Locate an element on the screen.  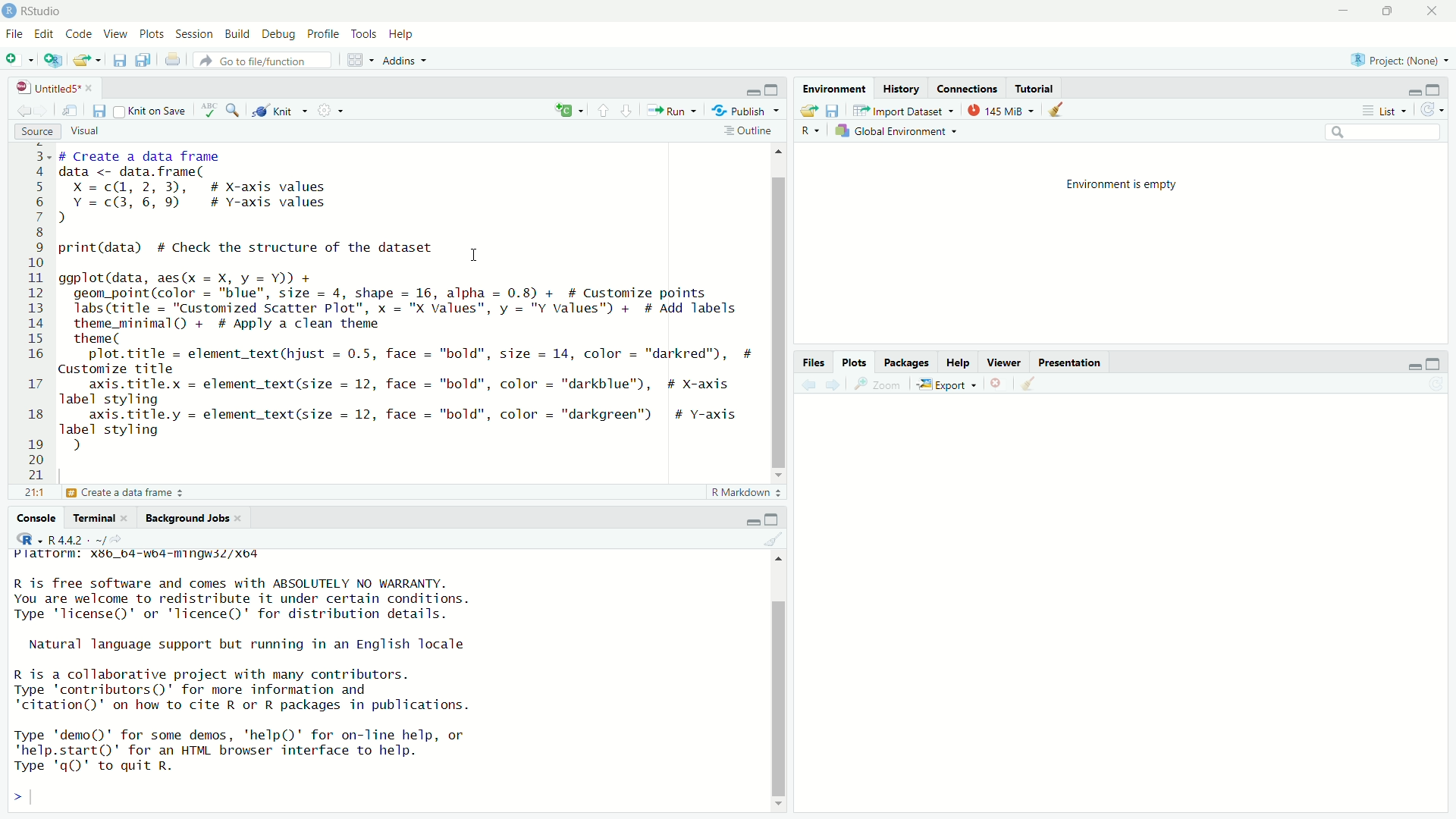
Untitled is located at coordinates (52, 89).